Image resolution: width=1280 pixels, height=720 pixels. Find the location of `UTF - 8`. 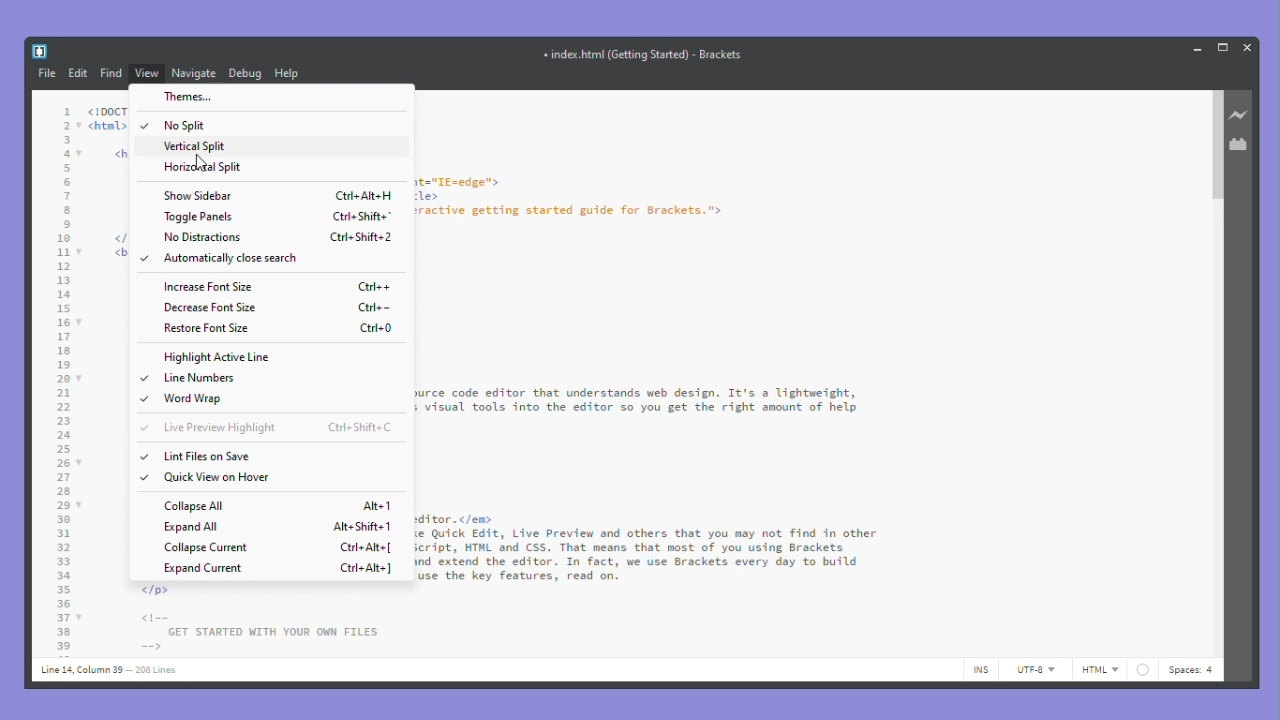

UTF - 8 is located at coordinates (1033, 670).